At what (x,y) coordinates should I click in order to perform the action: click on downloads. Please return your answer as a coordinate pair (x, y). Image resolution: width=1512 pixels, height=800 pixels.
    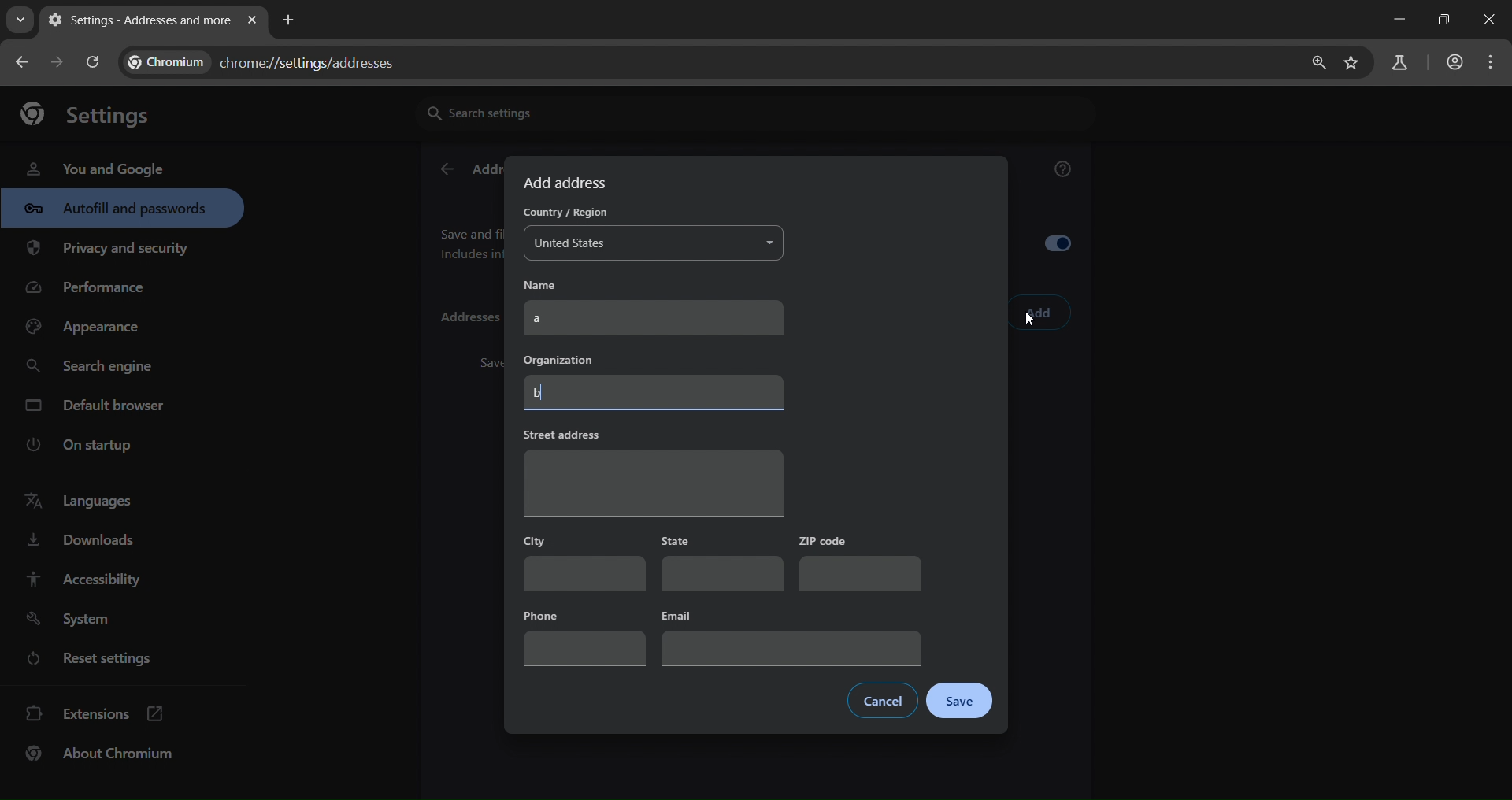
    Looking at the image, I should click on (80, 543).